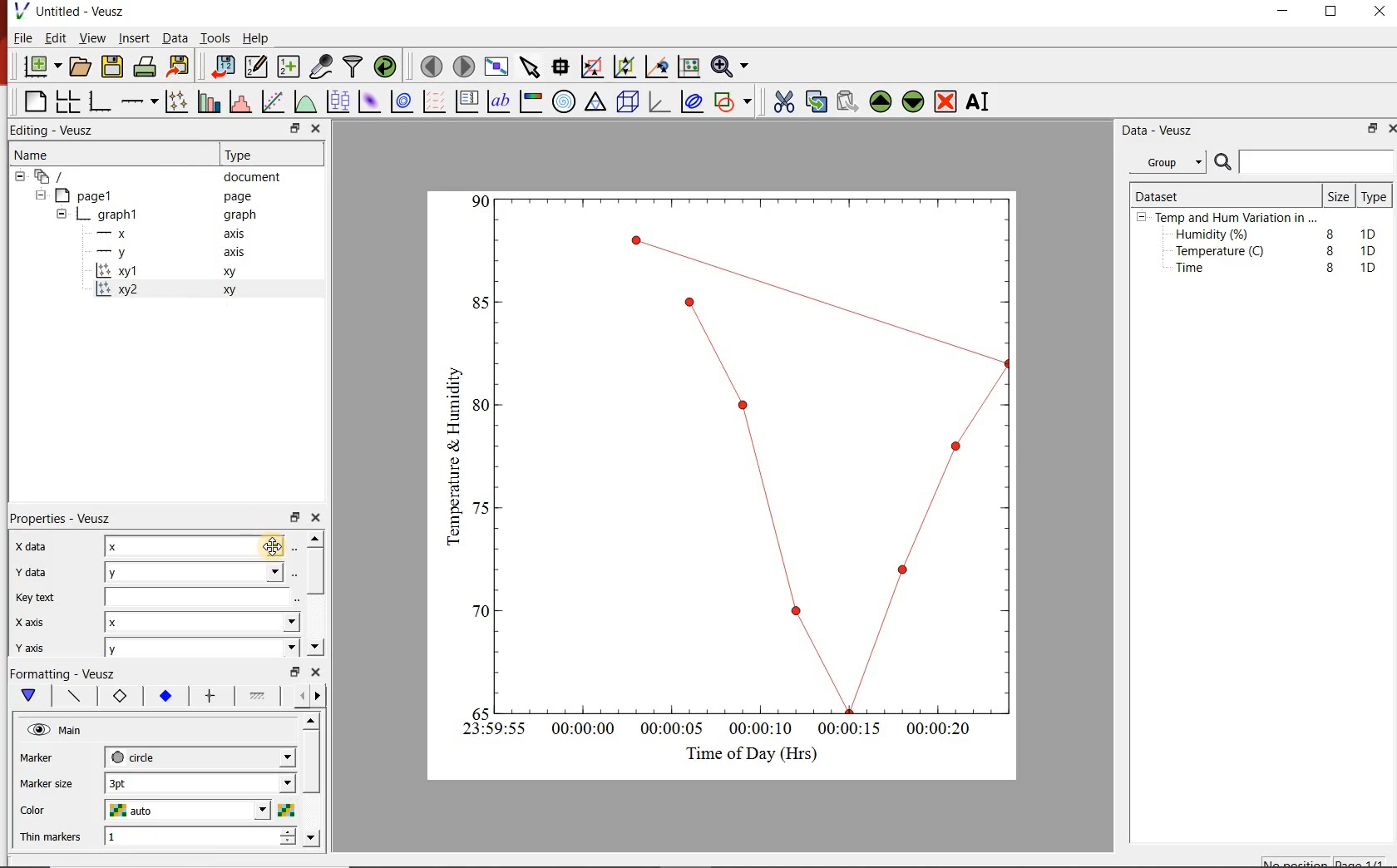 Image resolution: width=1397 pixels, height=868 pixels. What do you see at coordinates (70, 99) in the screenshot?
I see `arrange graphs in a grid` at bounding box center [70, 99].